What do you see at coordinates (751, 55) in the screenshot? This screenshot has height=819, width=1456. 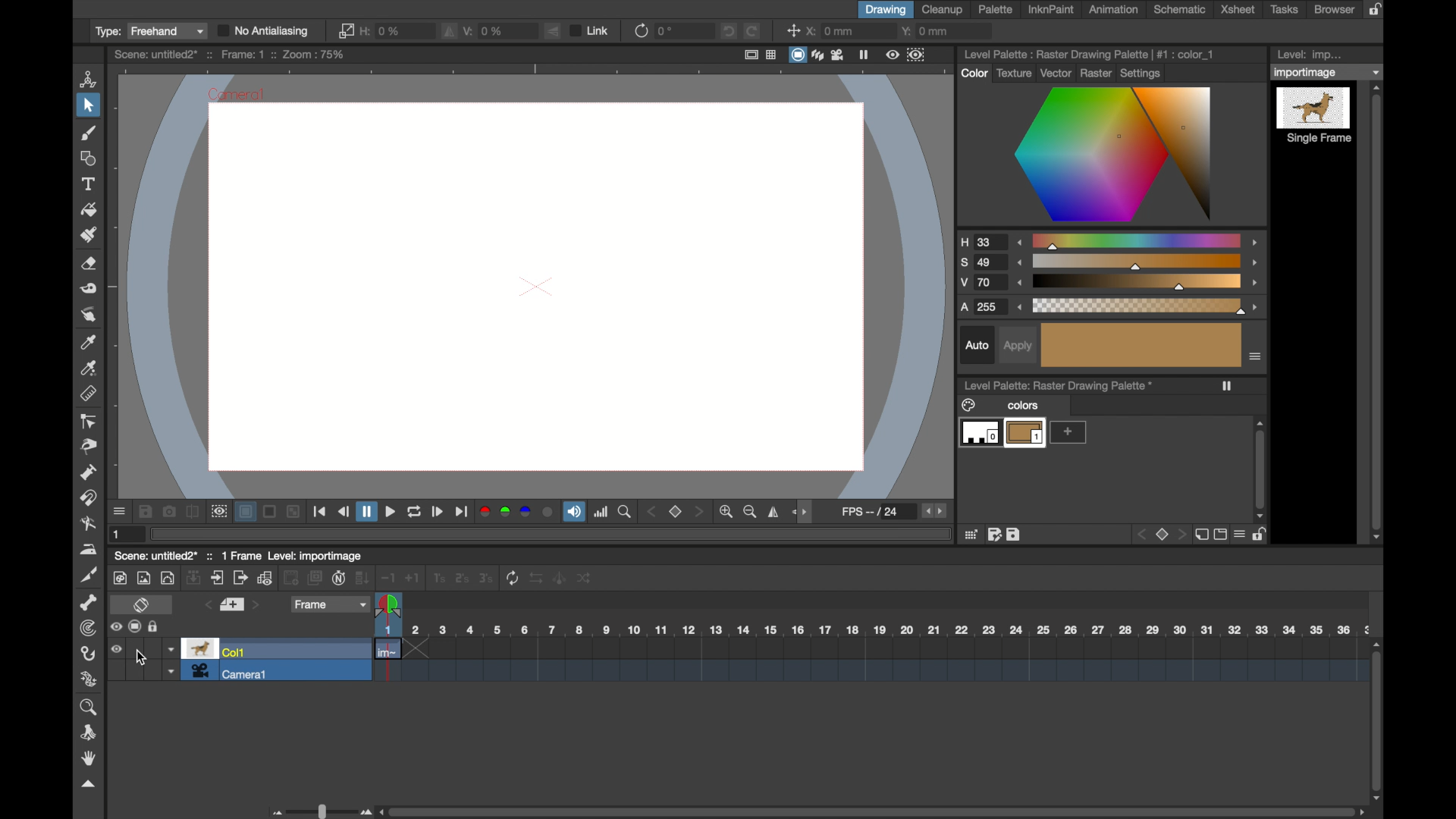 I see `fullscreen` at bounding box center [751, 55].